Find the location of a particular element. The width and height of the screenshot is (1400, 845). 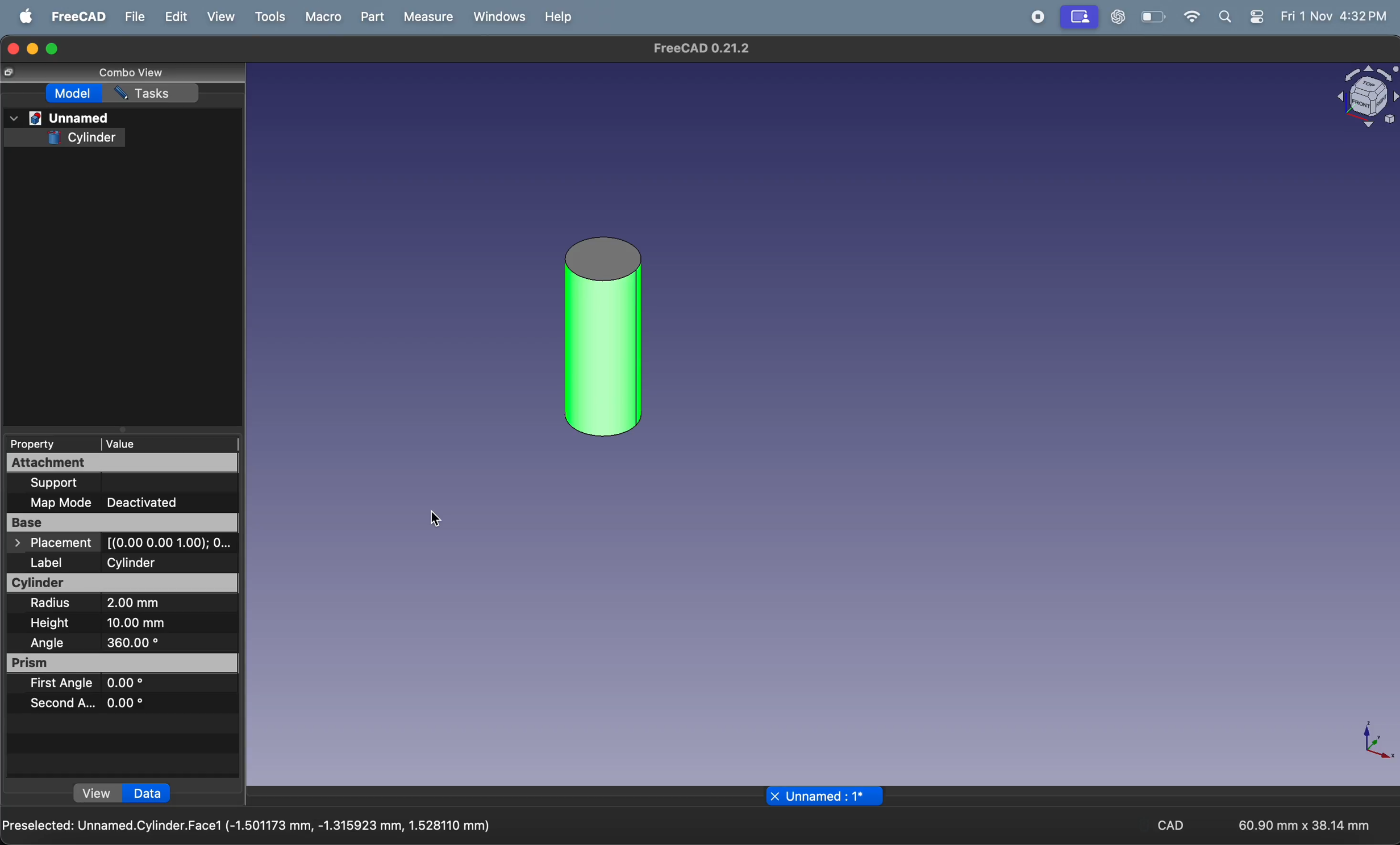

unanmed is located at coordinates (60, 119).